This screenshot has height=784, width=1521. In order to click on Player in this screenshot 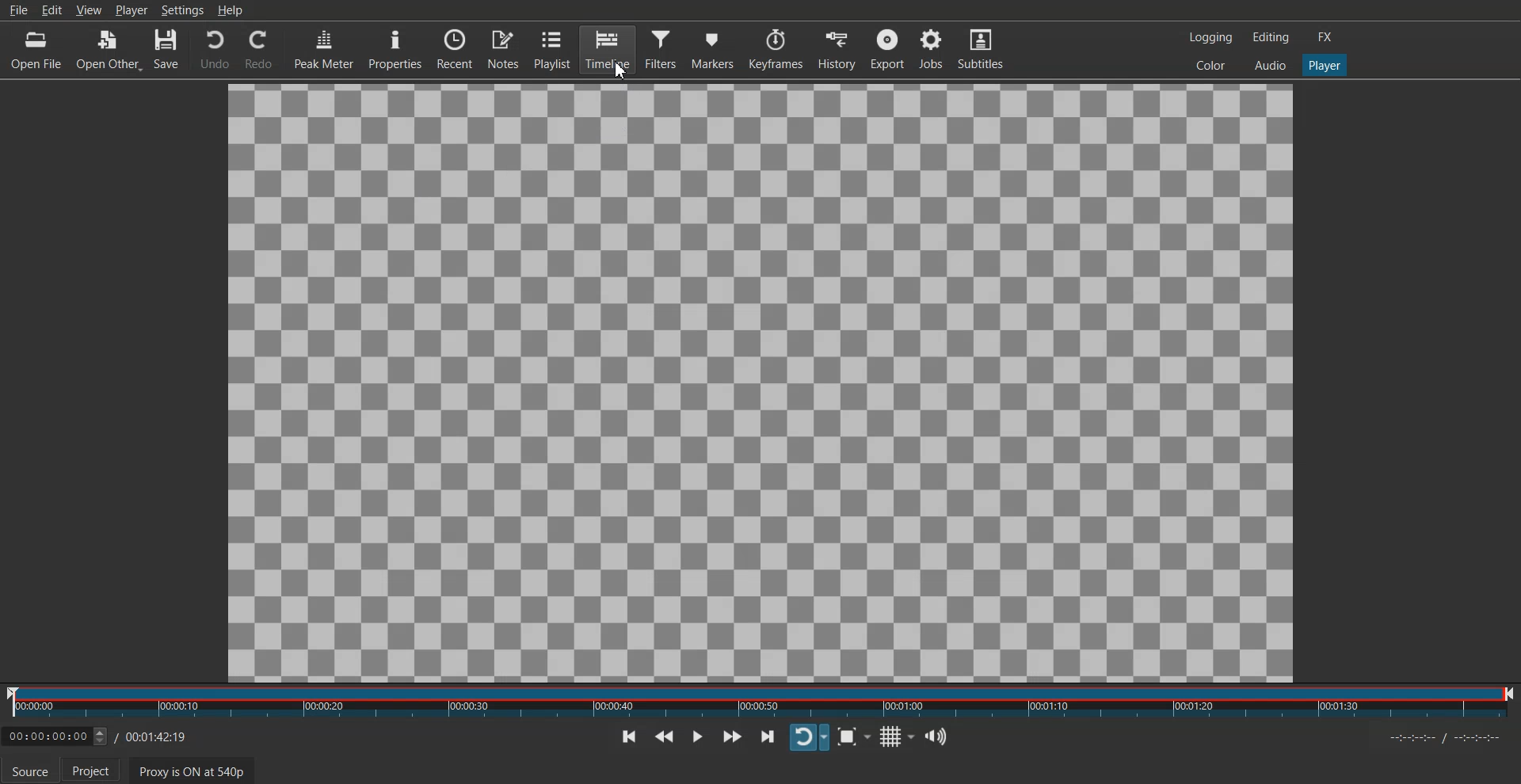, I will do `click(1325, 66)`.